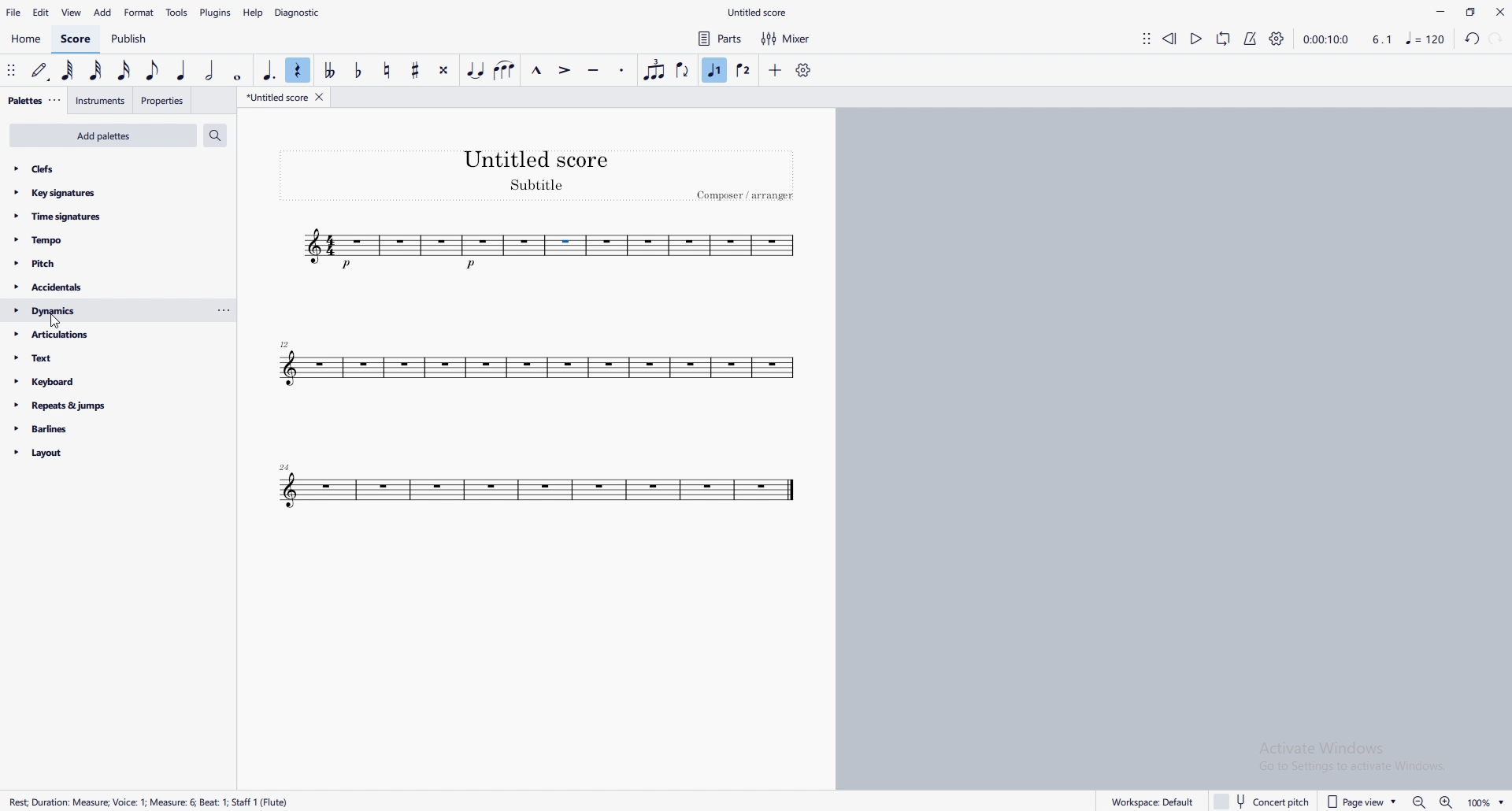  What do you see at coordinates (1356, 803) in the screenshot?
I see `page view` at bounding box center [1356, 803].